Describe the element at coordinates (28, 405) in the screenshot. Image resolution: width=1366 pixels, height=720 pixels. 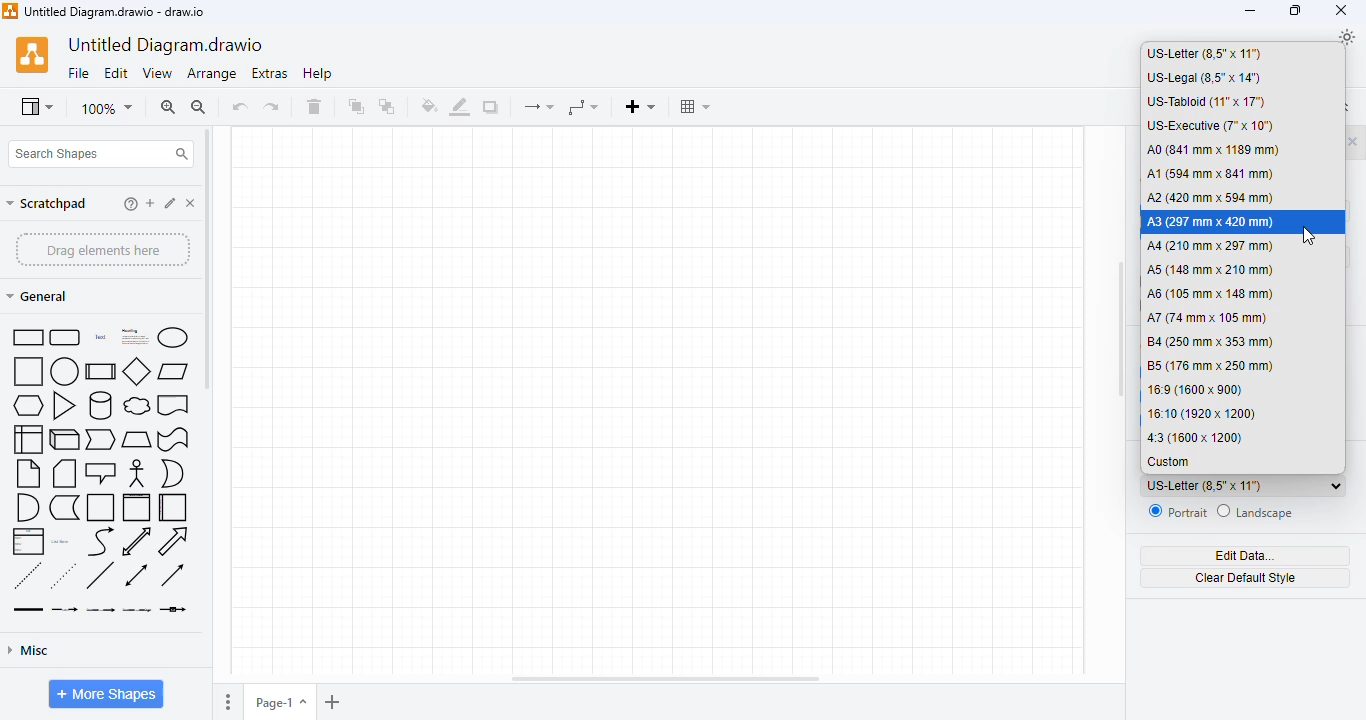
I see `hexagon` at that location.